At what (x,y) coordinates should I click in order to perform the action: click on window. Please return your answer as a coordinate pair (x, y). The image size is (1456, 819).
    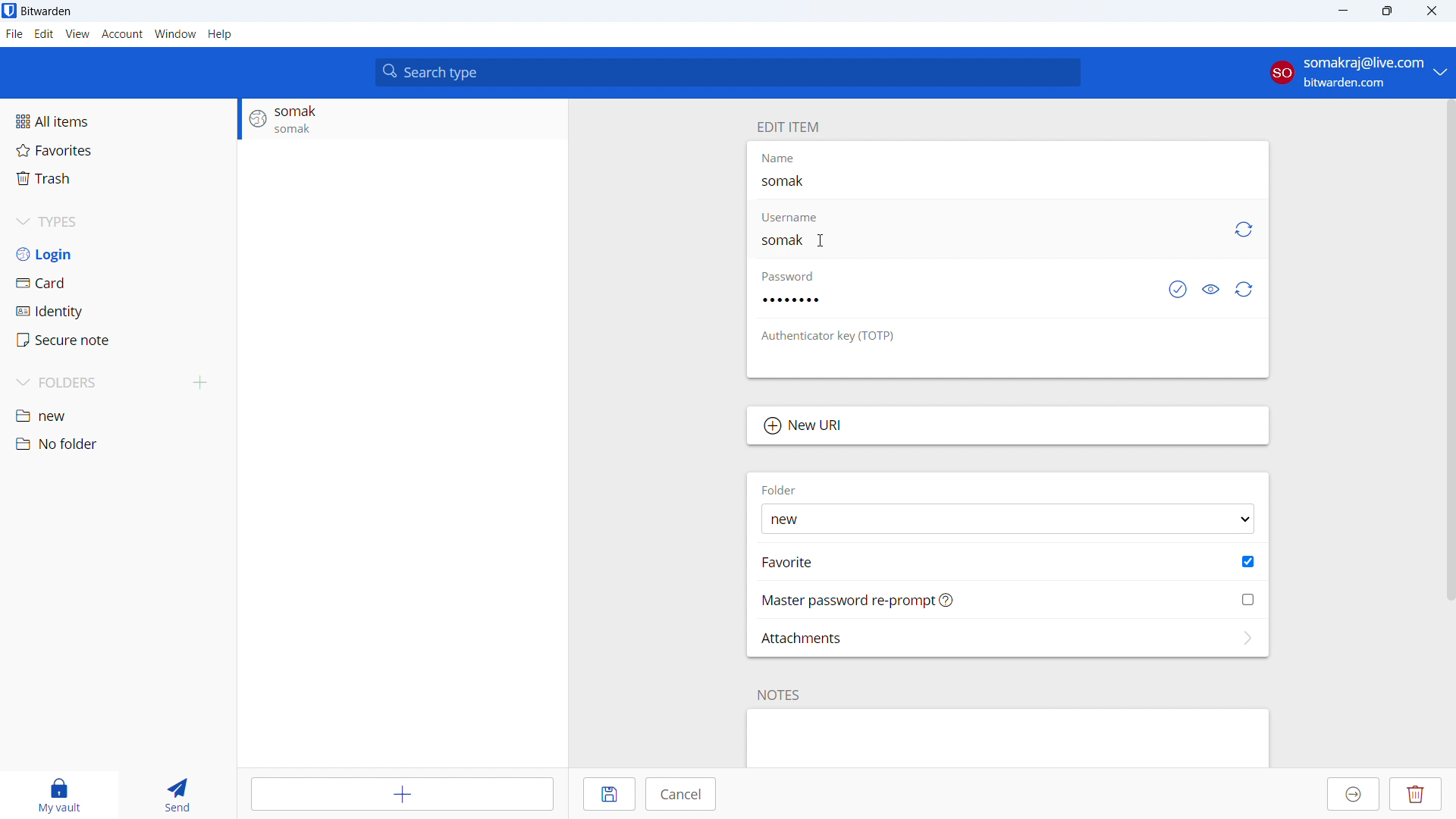
    Looking at the image, I should click on (175, 33).